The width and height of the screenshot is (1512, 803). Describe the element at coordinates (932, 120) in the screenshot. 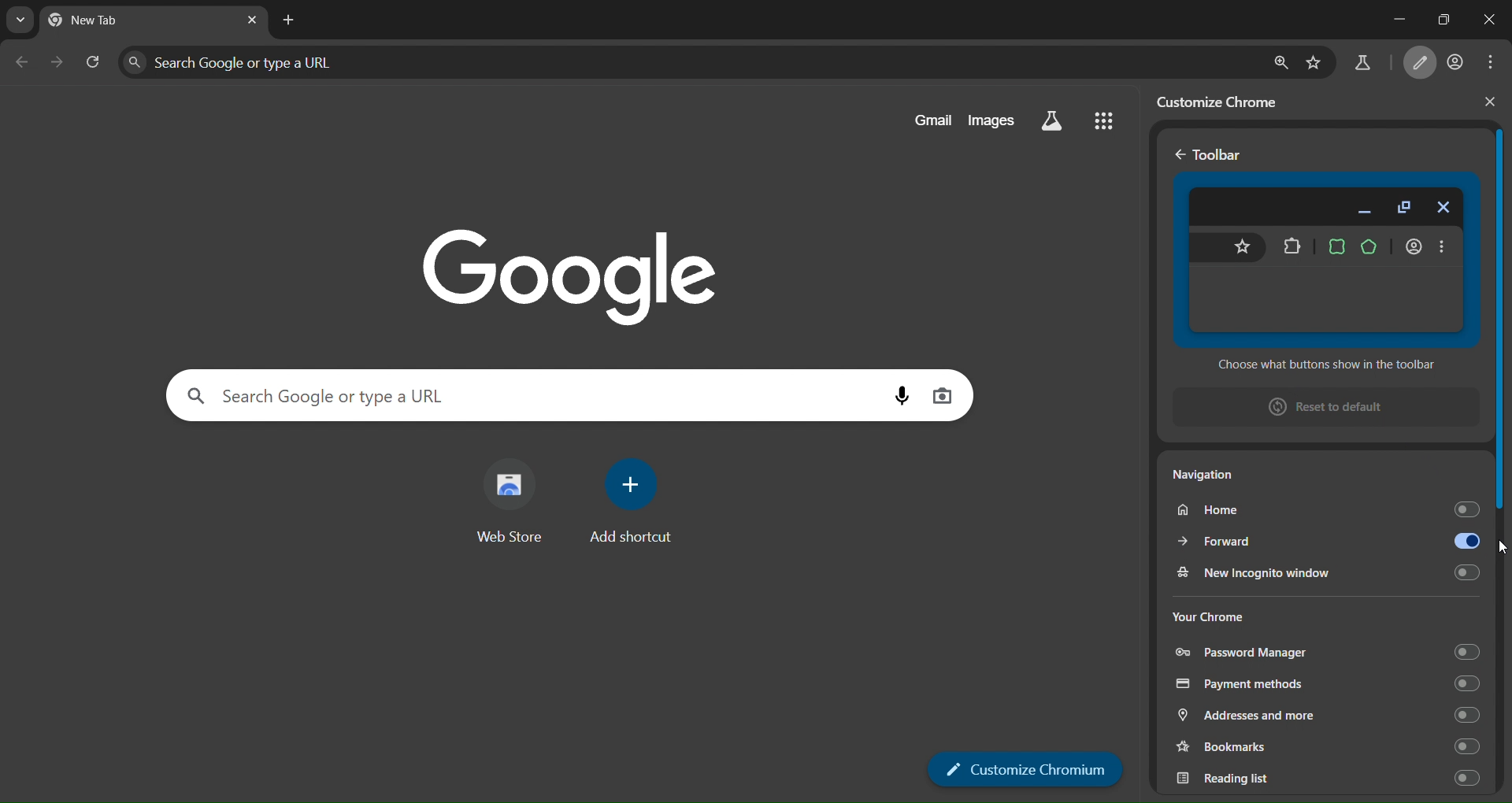

I see `gmail` at that location.